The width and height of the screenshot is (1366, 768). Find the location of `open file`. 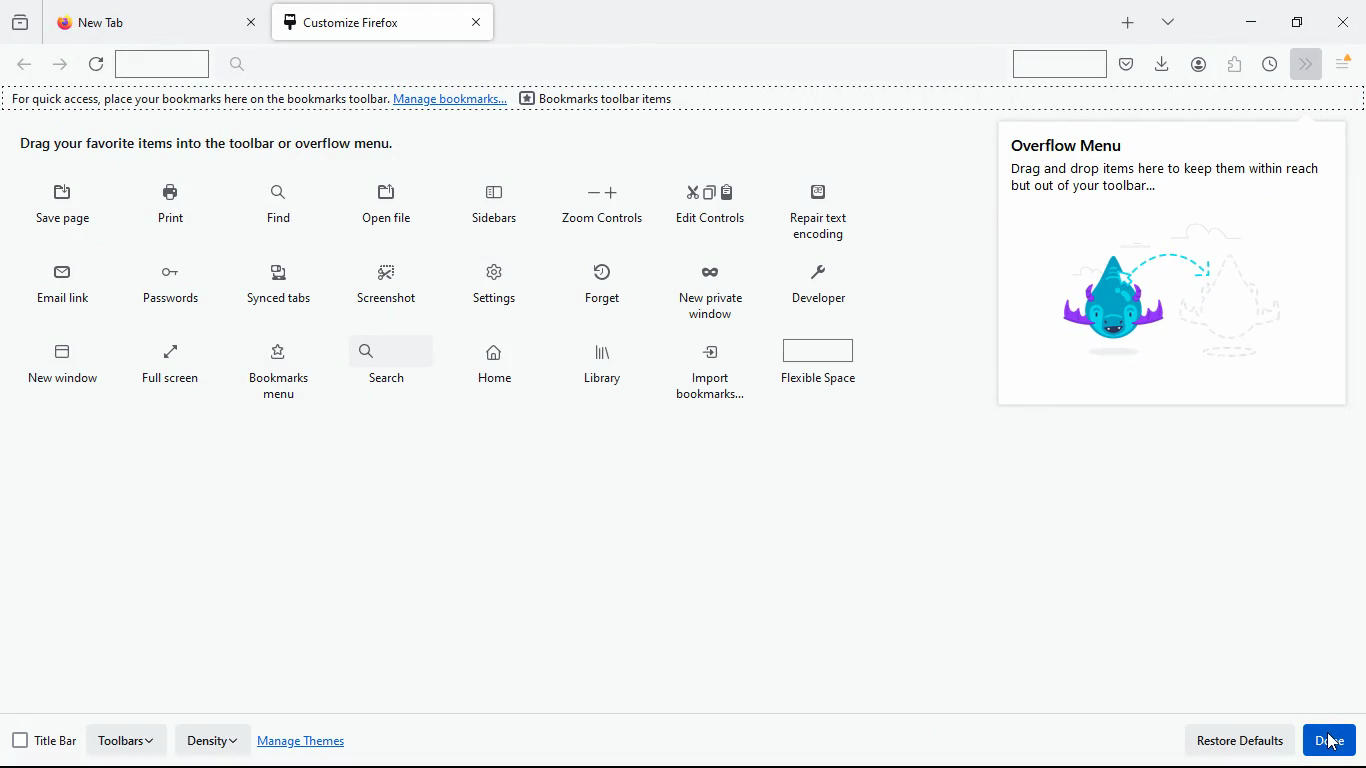

open file is located at coordinates (493, 208).